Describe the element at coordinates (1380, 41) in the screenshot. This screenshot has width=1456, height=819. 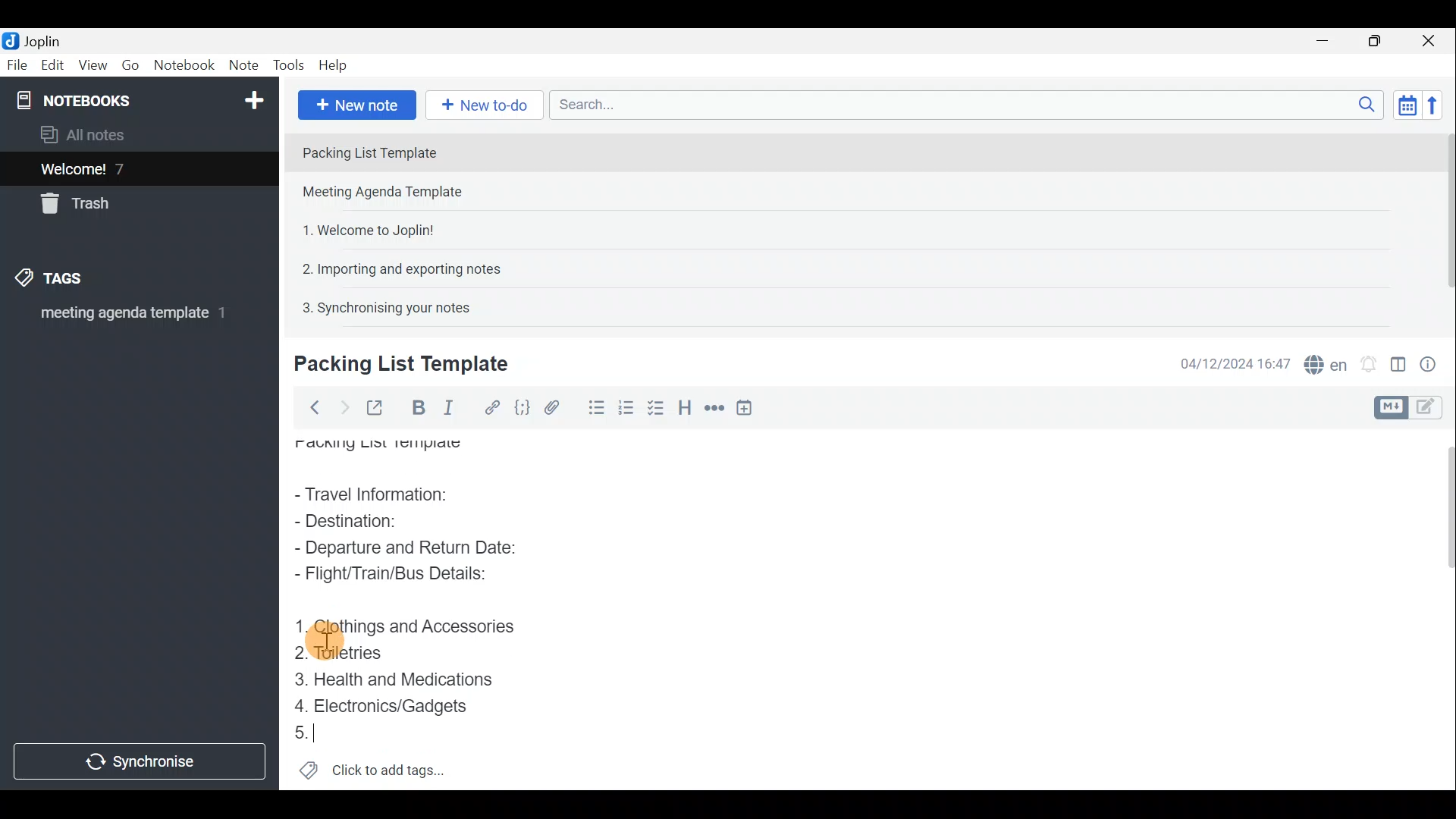
I see `Maximise` at that location.